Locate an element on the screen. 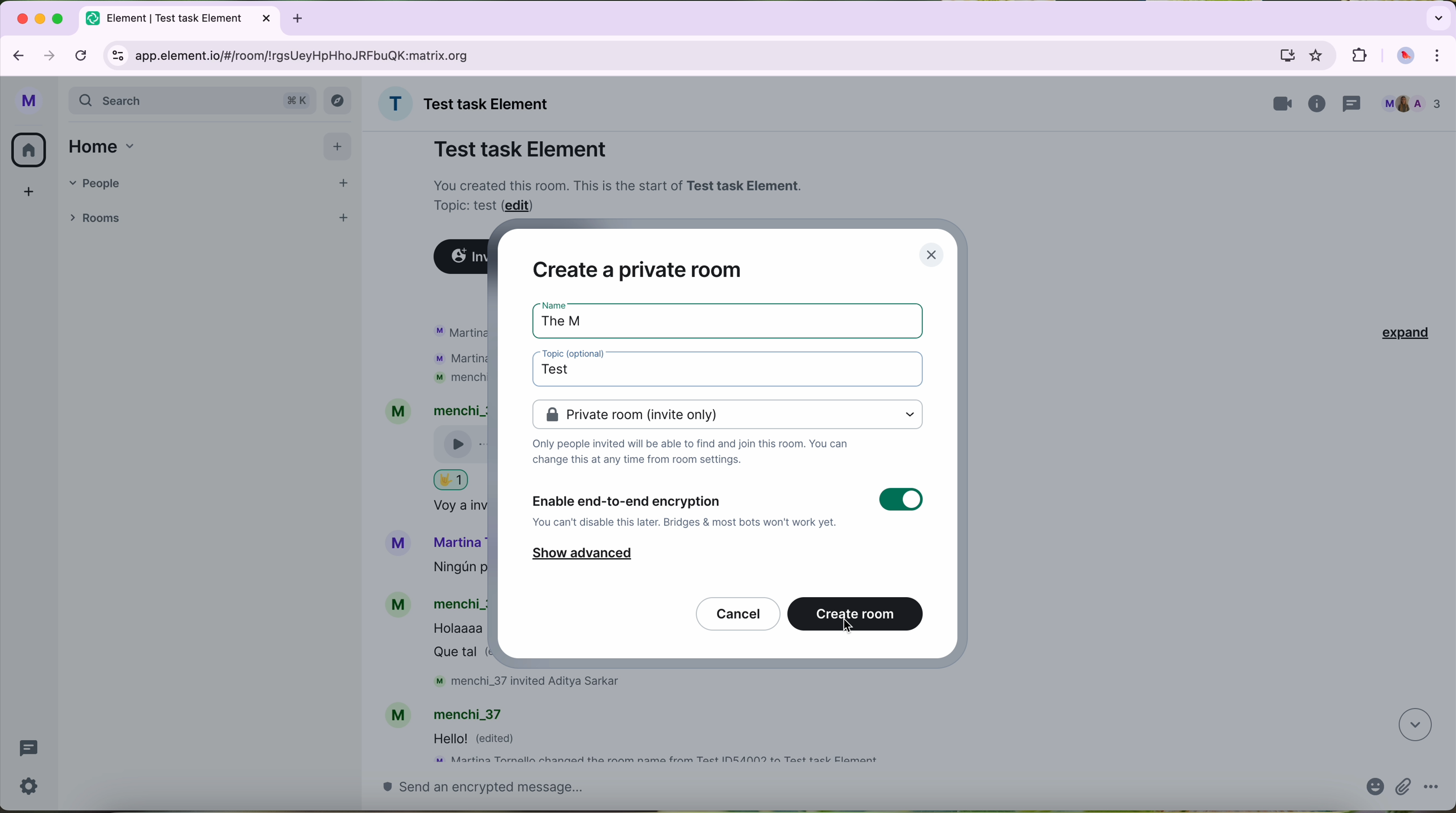  toggle button is located at coordinates (900, 501).